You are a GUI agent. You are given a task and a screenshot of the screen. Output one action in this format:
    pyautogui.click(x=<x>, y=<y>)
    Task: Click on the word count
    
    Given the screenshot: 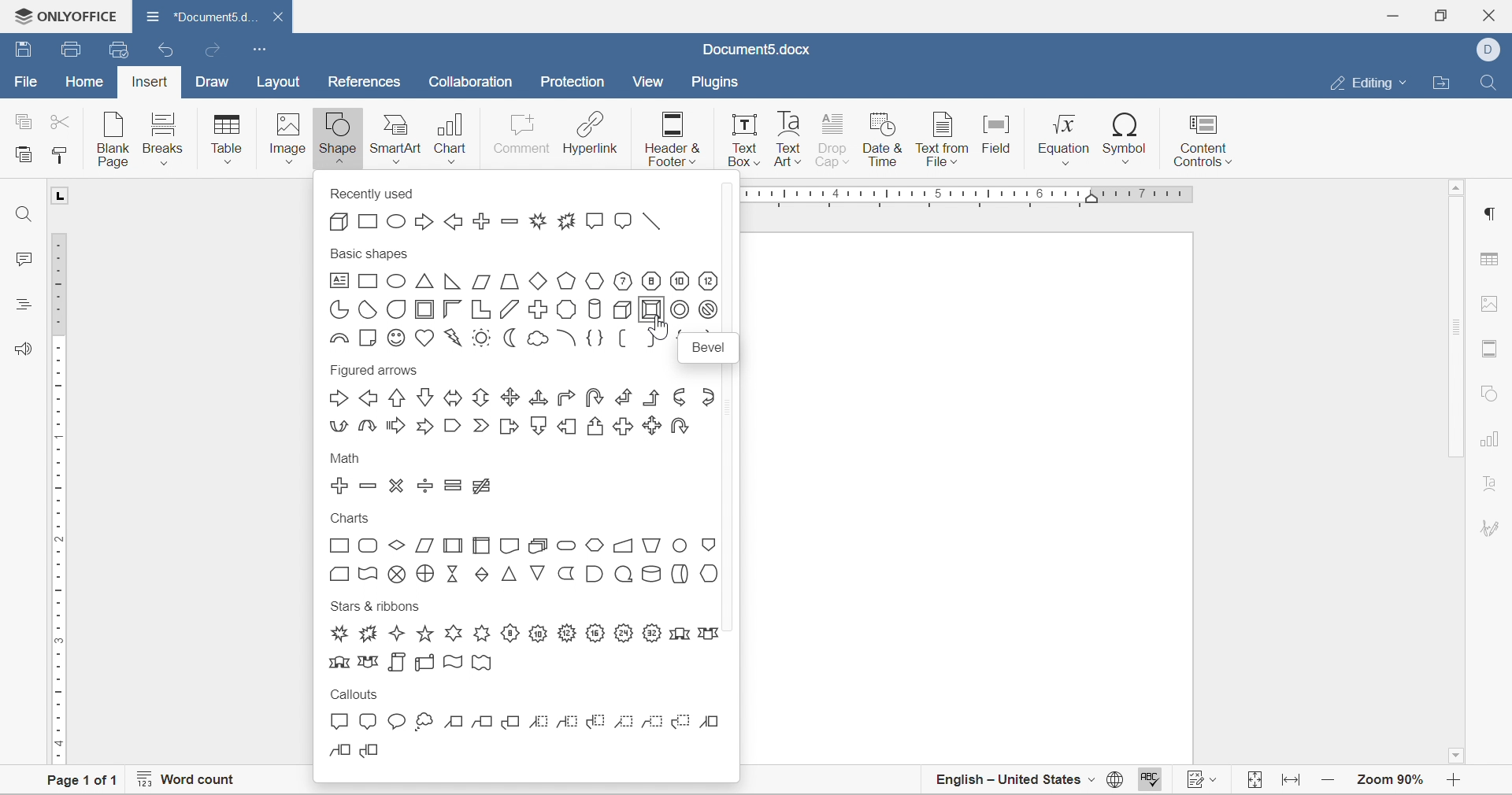 What is the action you would take?
    pyautogui.click(x=182, y=782)
    